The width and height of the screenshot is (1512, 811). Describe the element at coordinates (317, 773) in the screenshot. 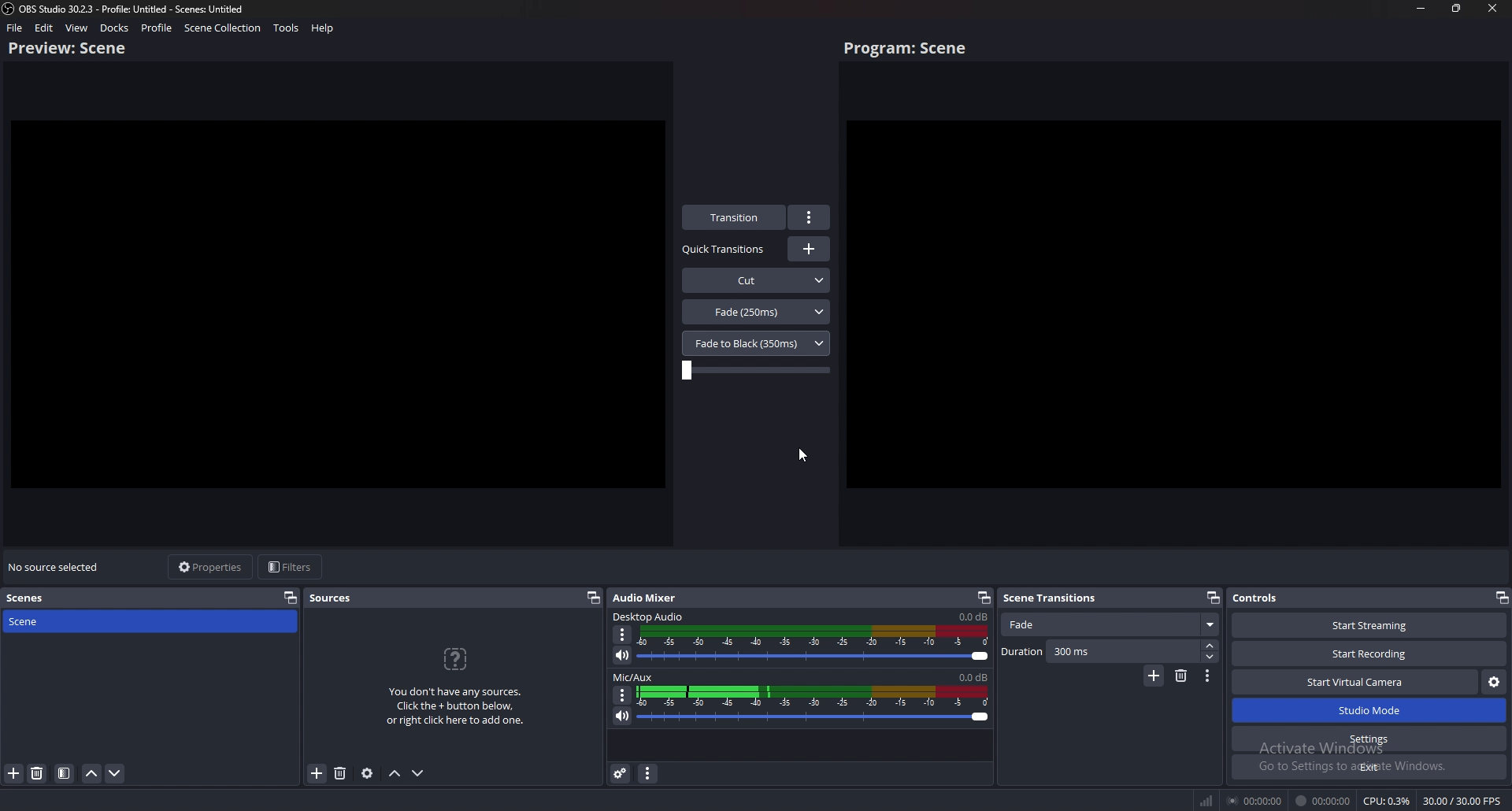

I see `add source` at that location.